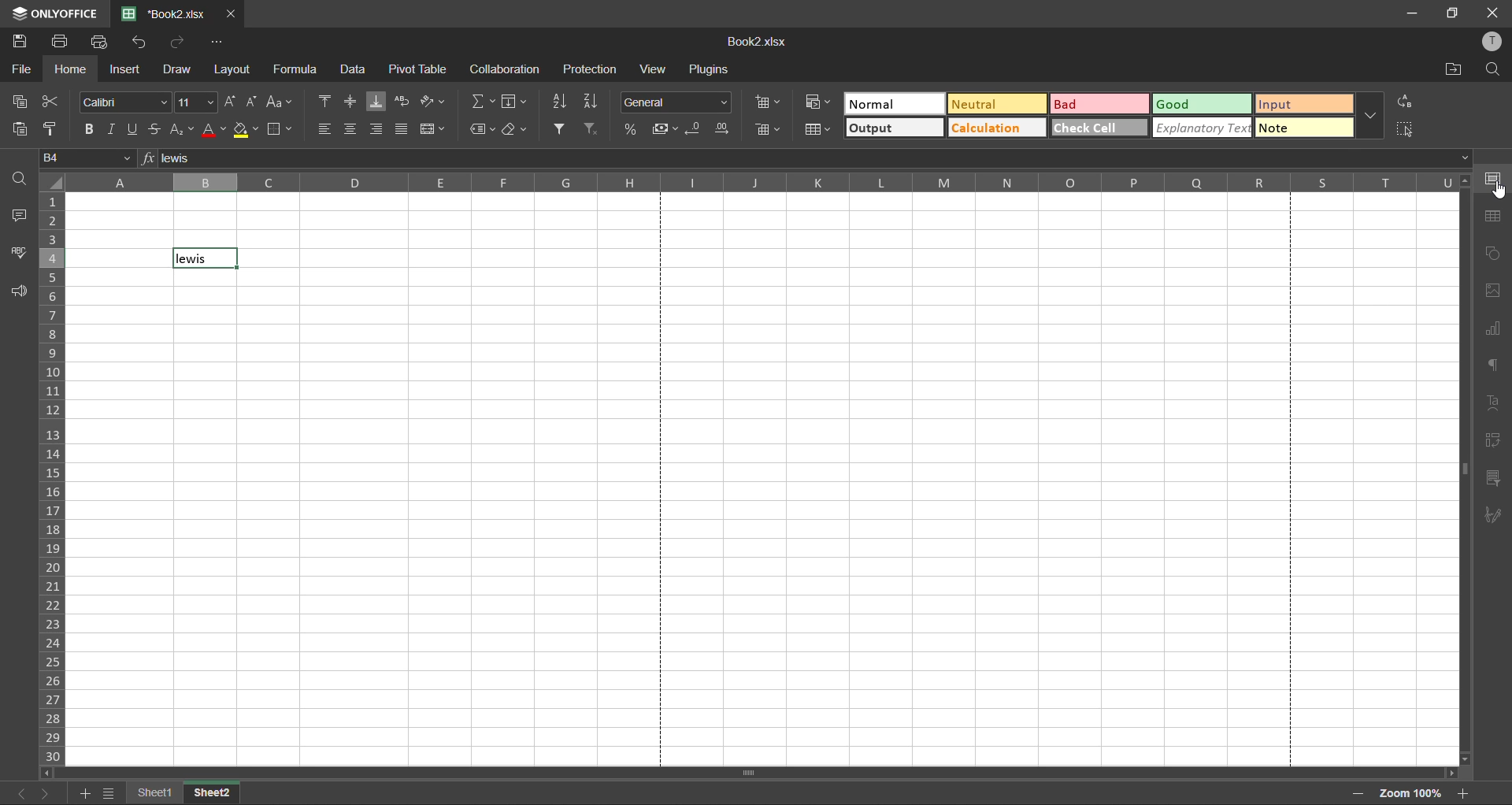 The height and width of the screenshot is (805, 1512). Describe the element at coordinates (817, 159) in the screenshot. I see `formula bar` at that location.